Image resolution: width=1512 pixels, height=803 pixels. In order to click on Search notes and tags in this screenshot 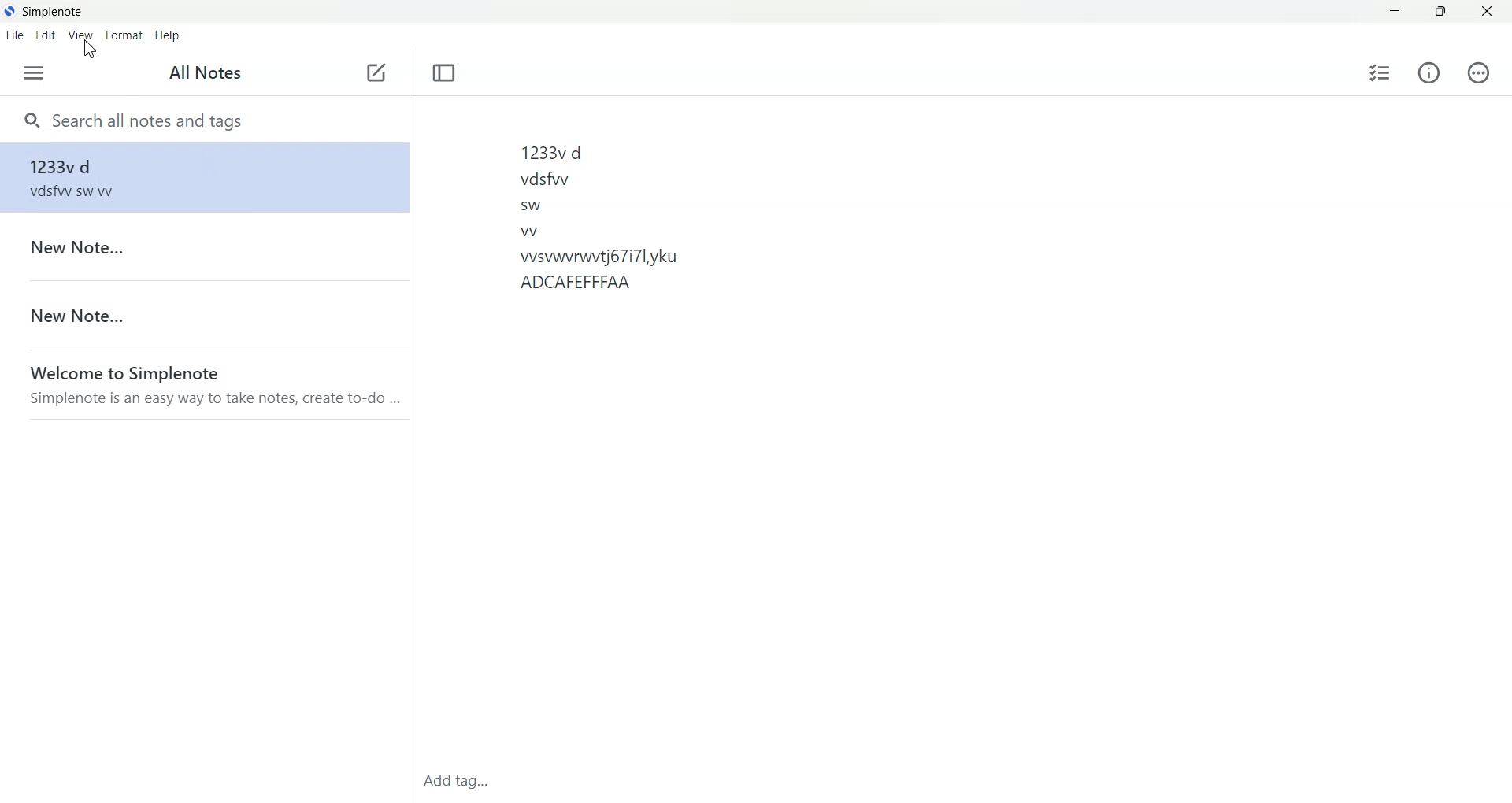, I will do `click(205, 119)`.